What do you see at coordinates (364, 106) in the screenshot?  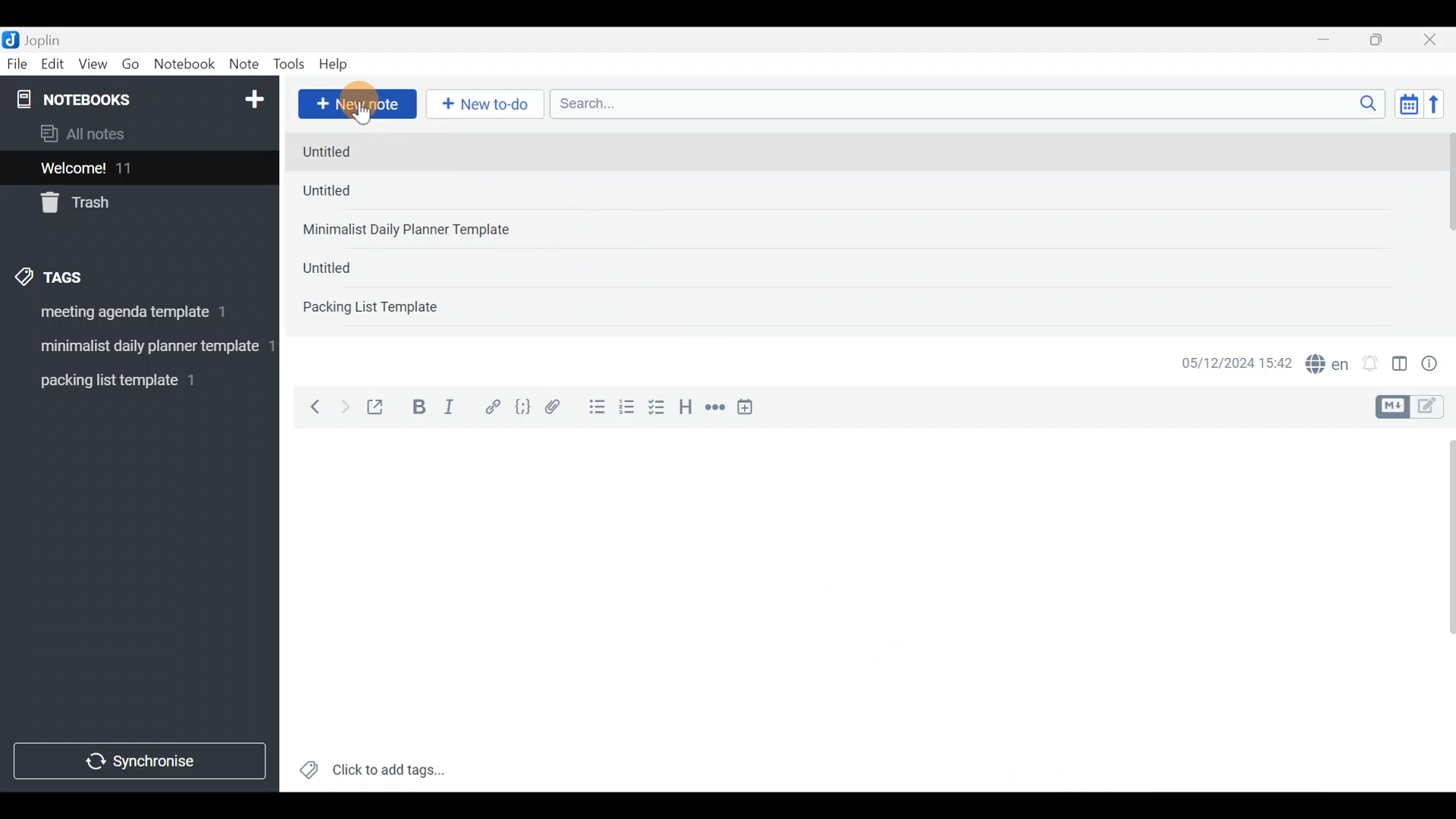 I see `Cursor` at bounding box center [364, 106].